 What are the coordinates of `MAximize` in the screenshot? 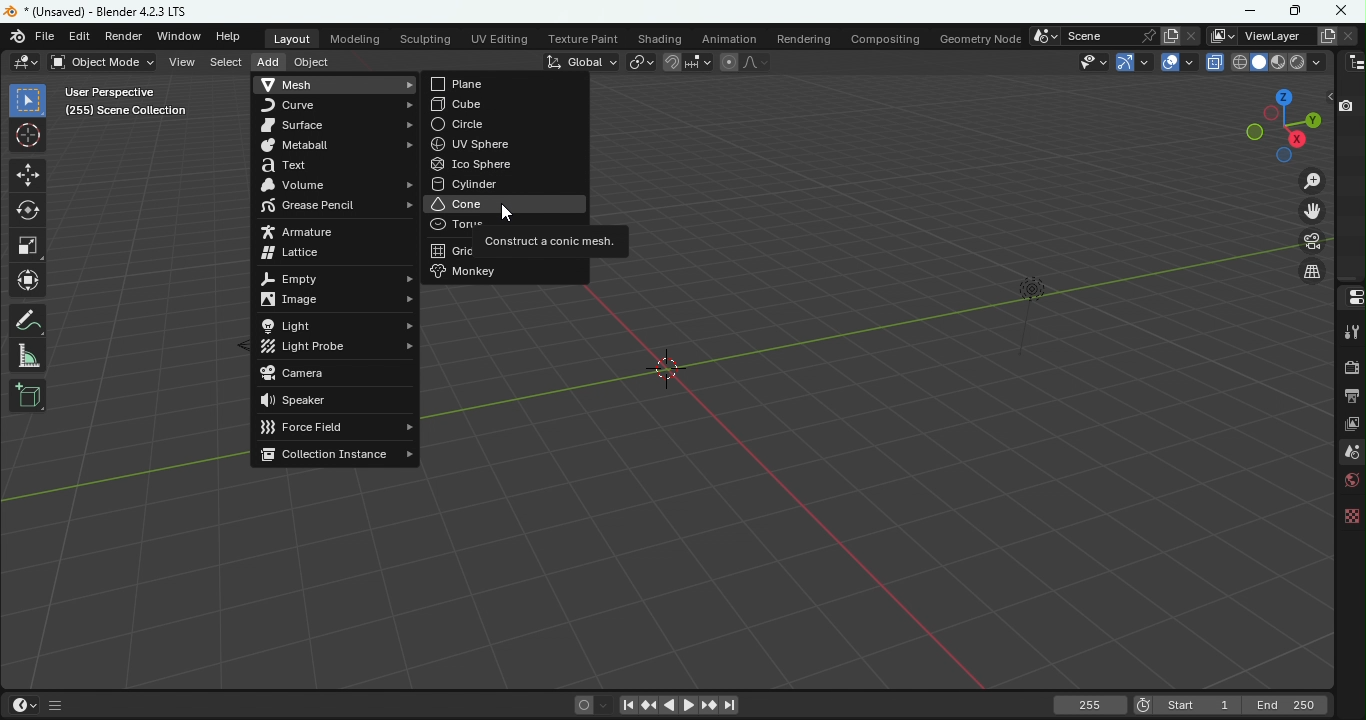 It's located at (1297, 12).